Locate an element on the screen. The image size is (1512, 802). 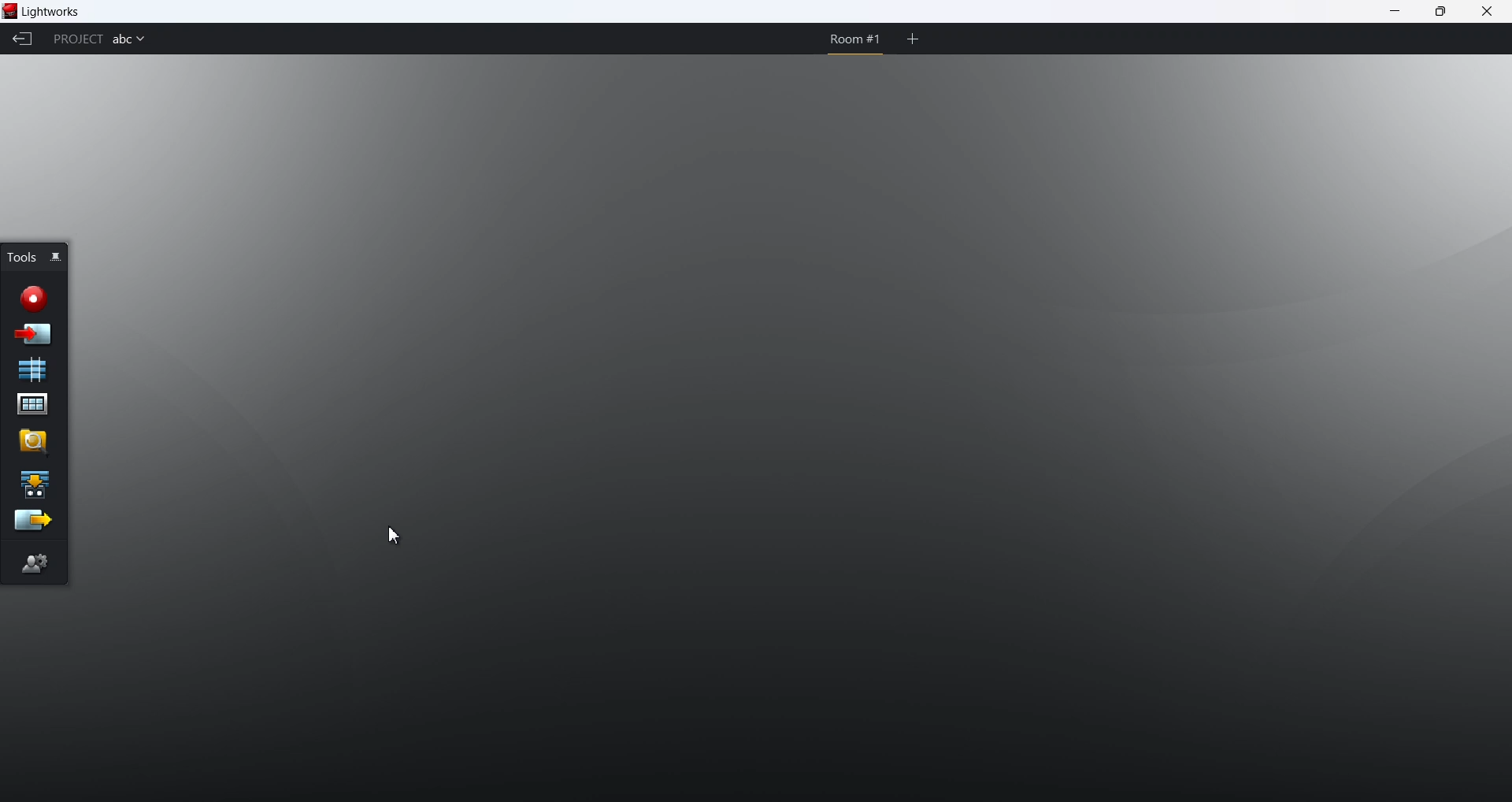
room 1 is located at coordinates (851, 39).